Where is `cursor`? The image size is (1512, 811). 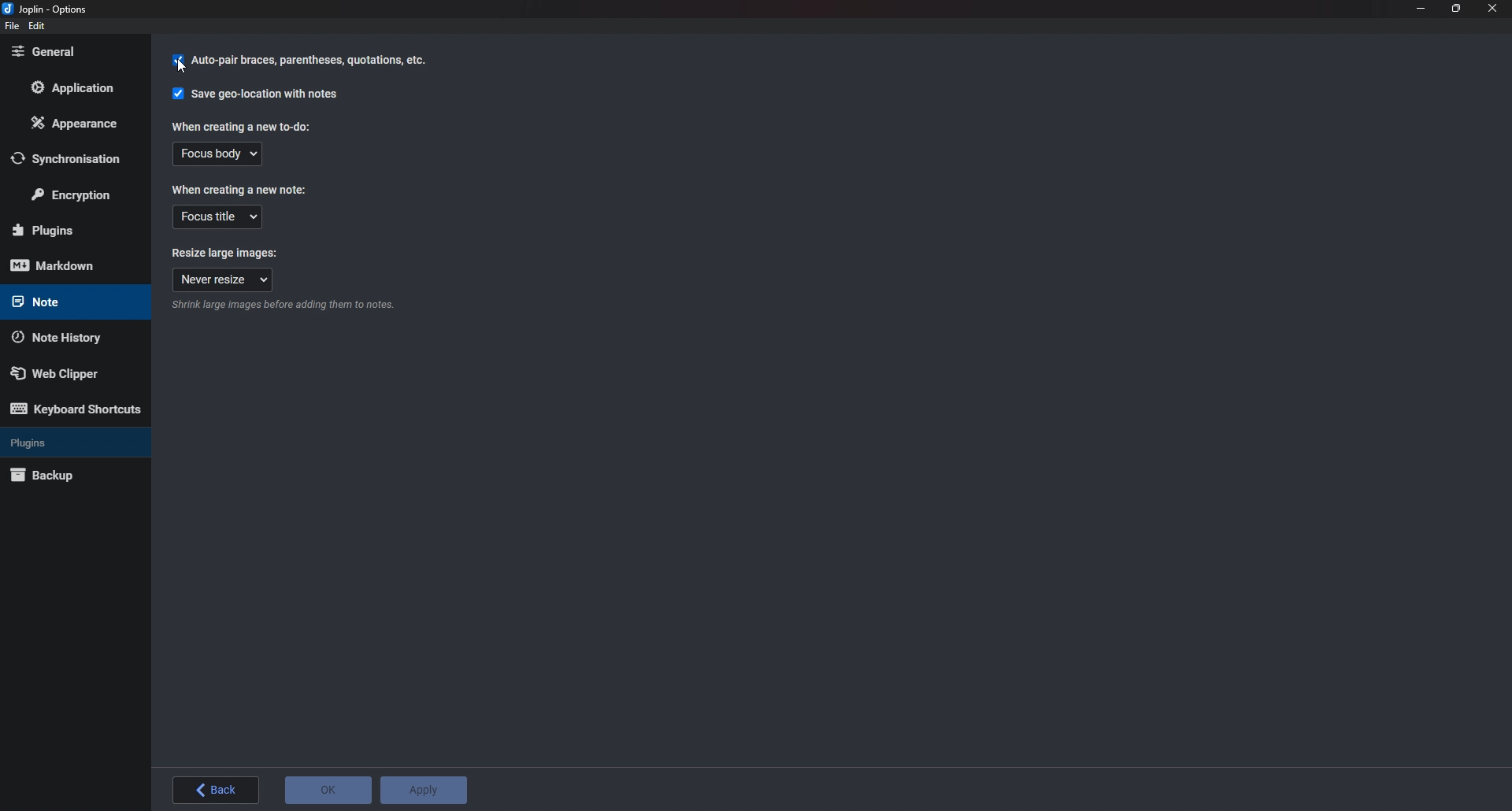
cursor is located at coordinates (183, 54).